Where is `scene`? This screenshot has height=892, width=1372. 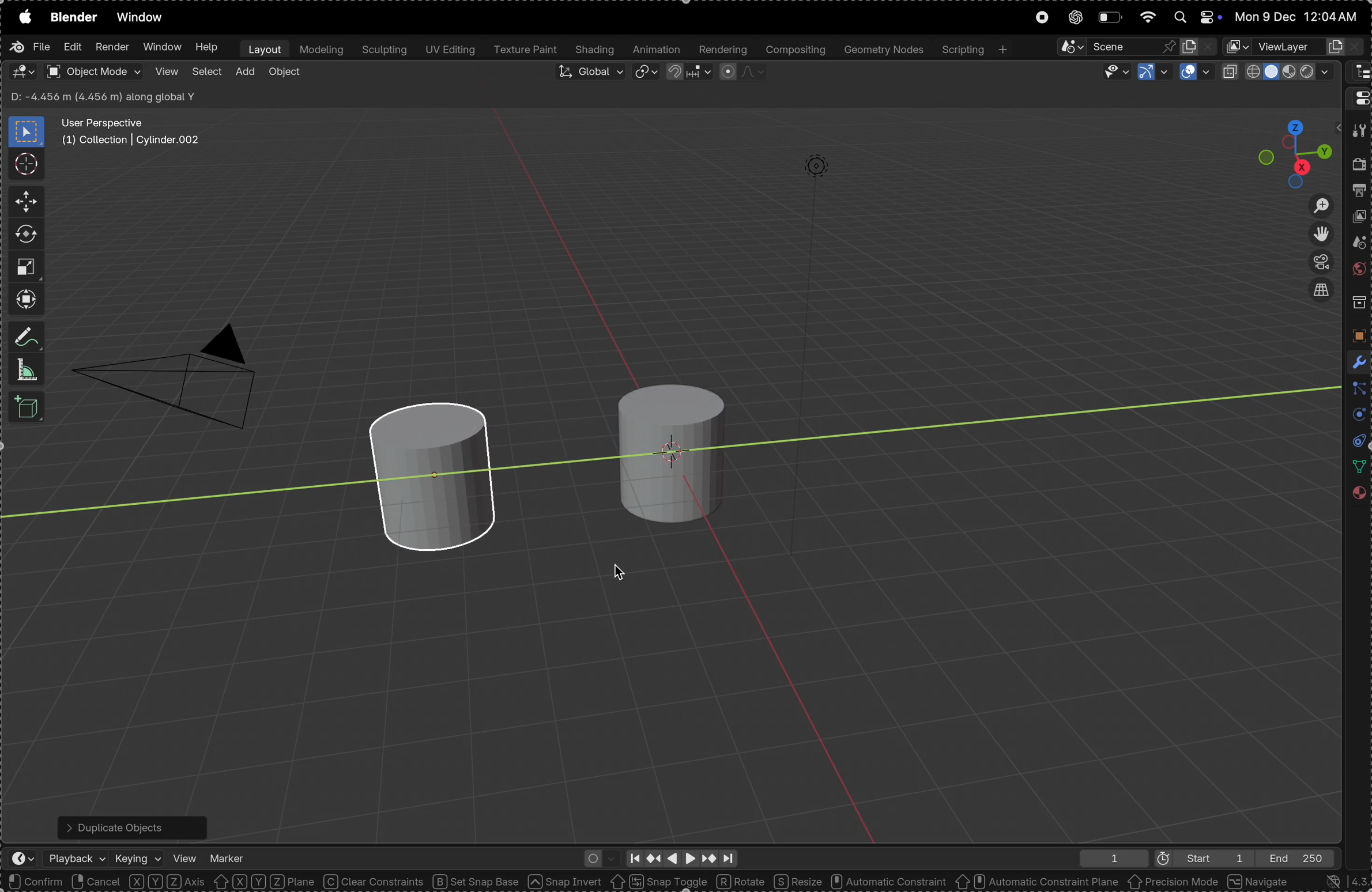 scene is located at coordinates (1356, 245).